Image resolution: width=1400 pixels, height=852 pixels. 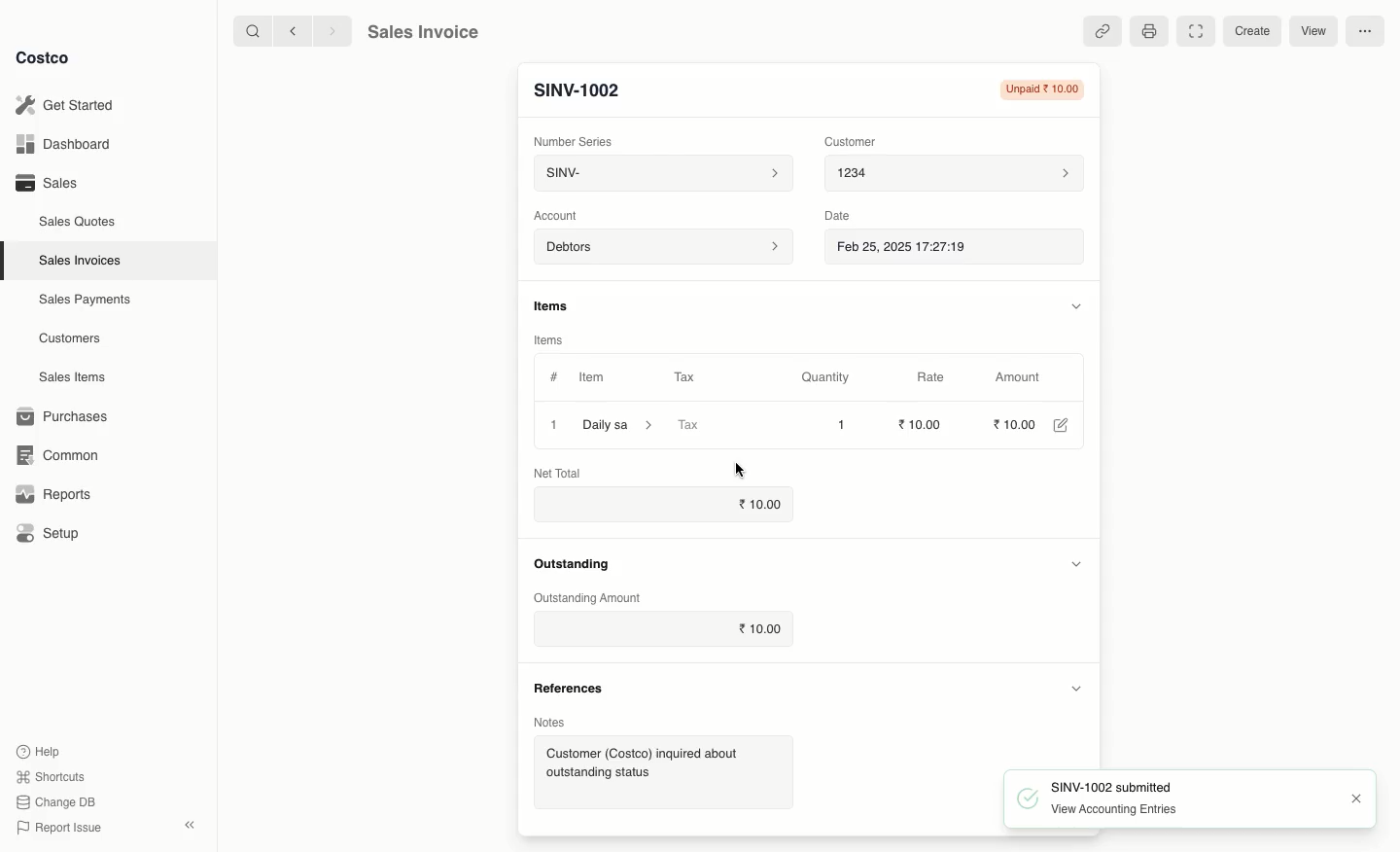 I want to click on SINV-, so click(x=663, y=174).